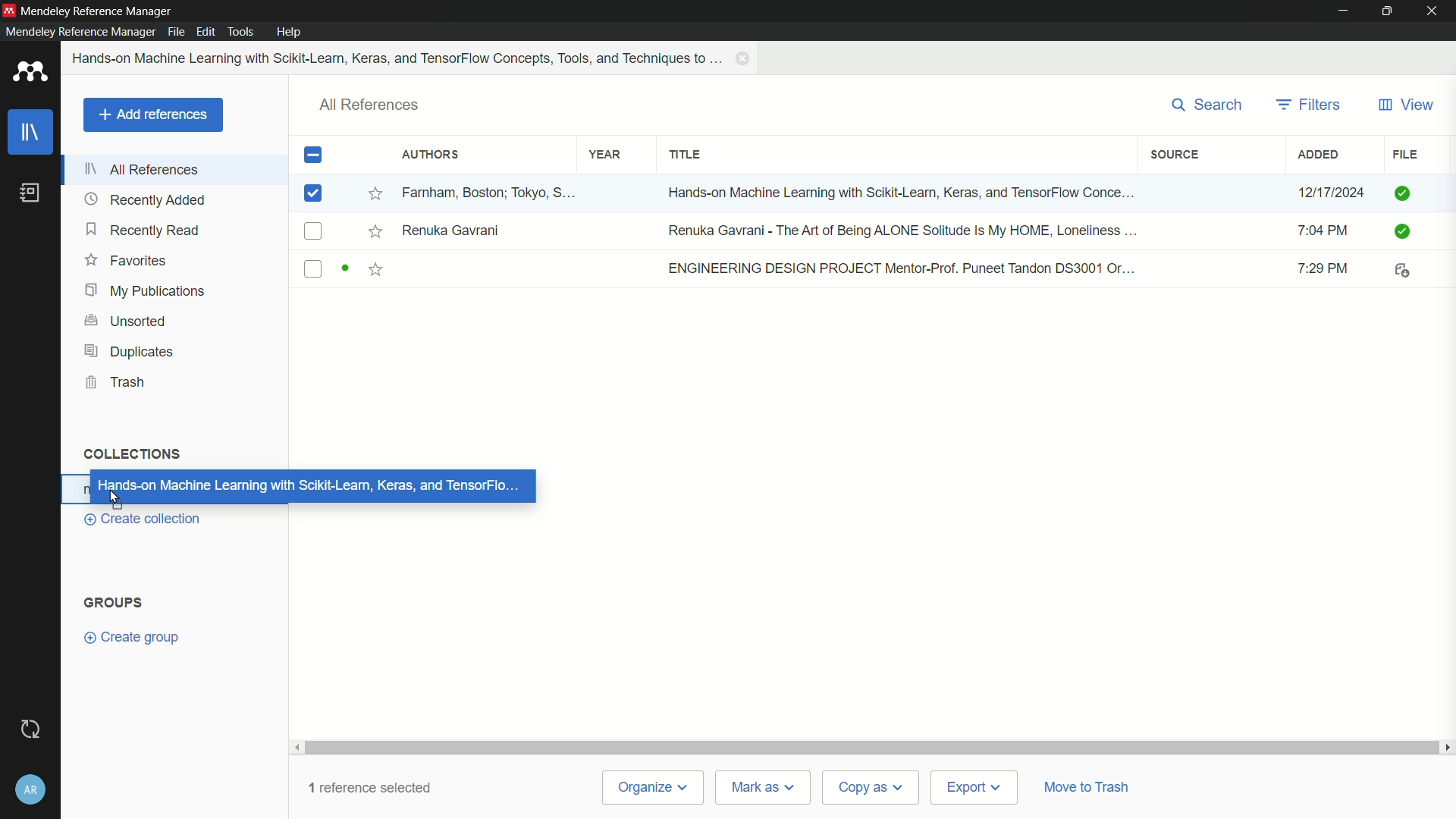  What do you see at coordinates (1209, 105) in the screenshot?
I see `search` at bounding box center [1209, 105].